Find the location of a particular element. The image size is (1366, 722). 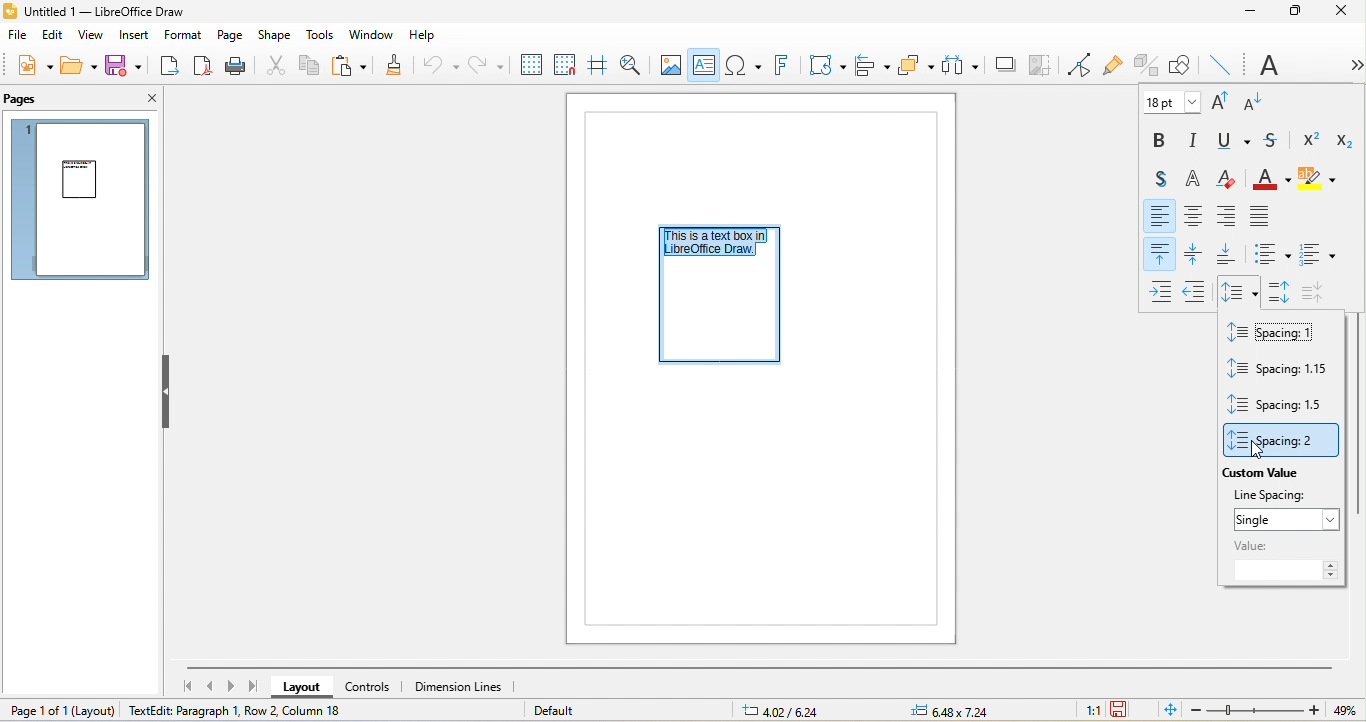

format is located at coordinates (183, 37).